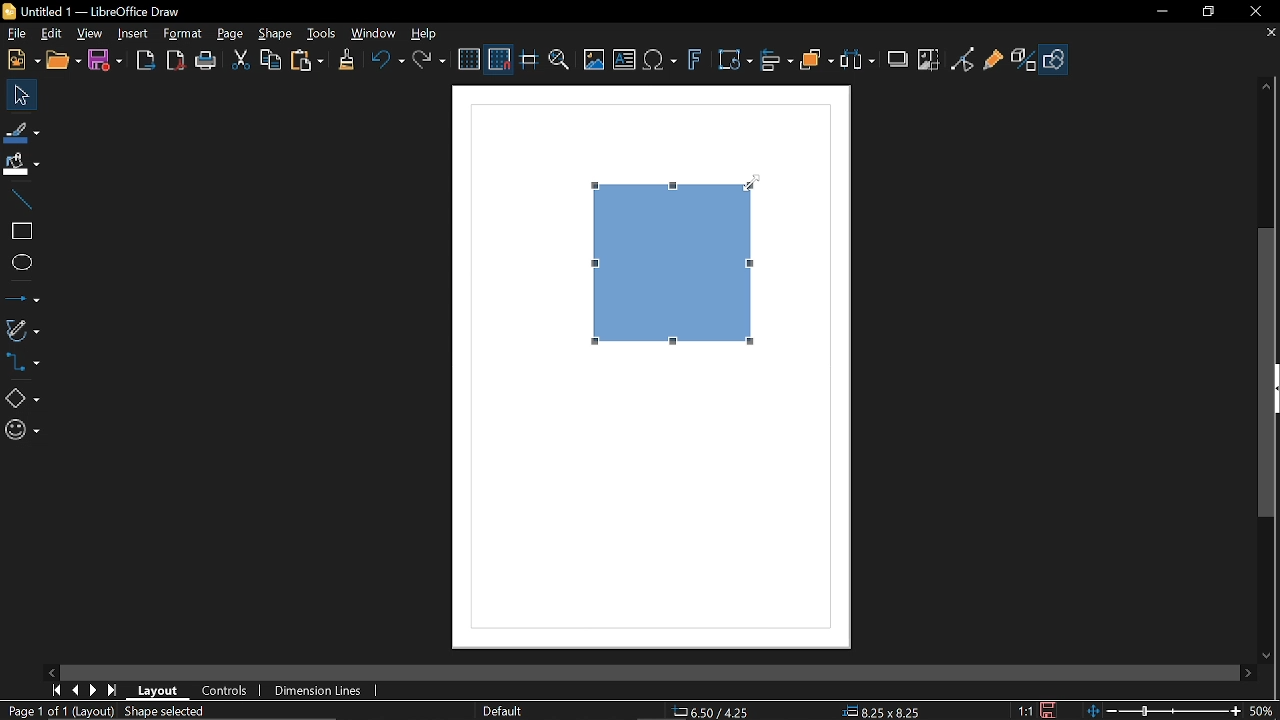 This screenshot has height=720, width=1280. Describe the element at coordinates (120, 9) in the screenshot. I see `Untitled 1 -- LibreOffice Draw` at that location.